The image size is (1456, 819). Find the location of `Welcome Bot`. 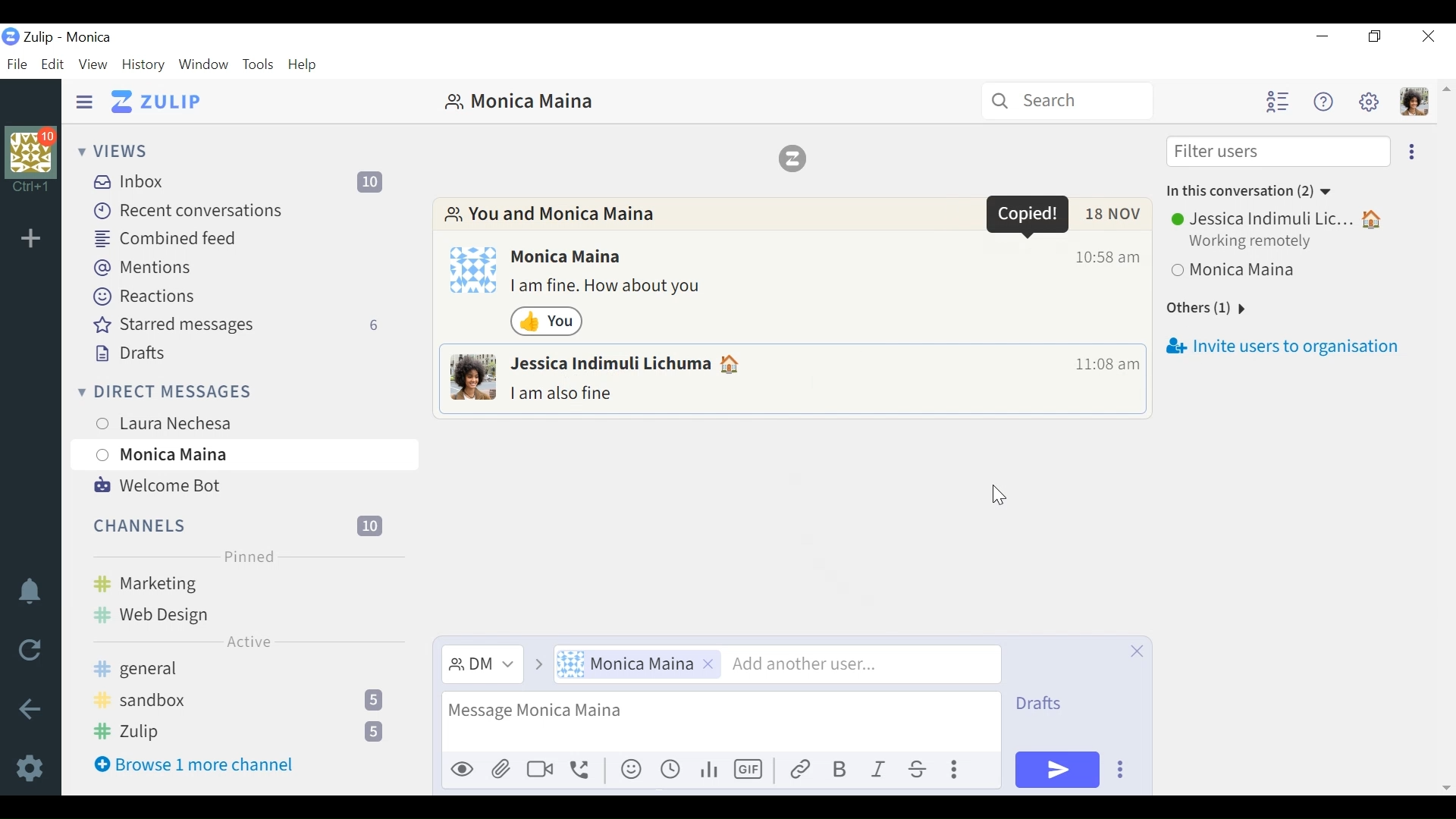

Welcome Bot is located at coordinates (156, 486).